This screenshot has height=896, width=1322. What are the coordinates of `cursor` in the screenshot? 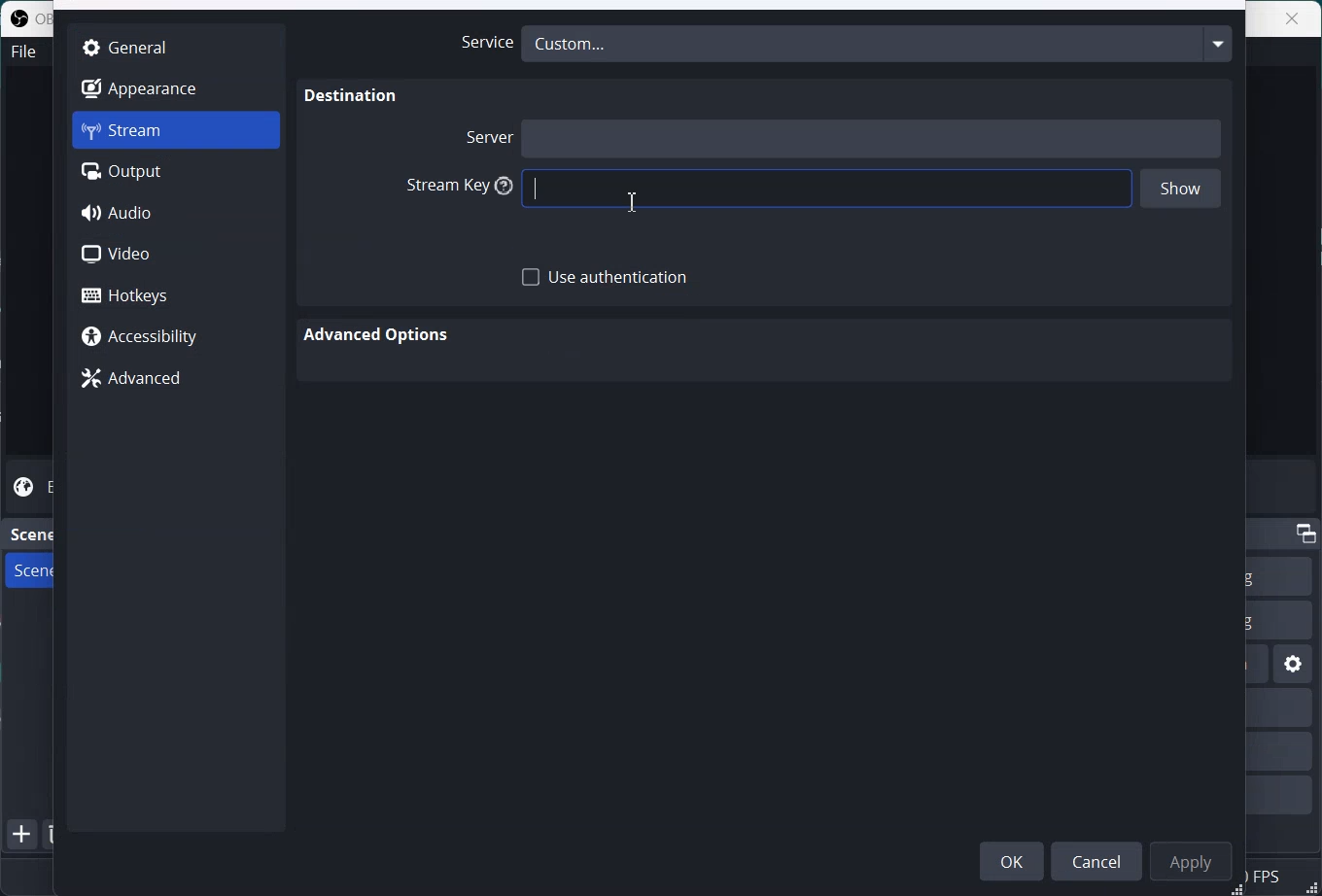 It's located at (631, 200).